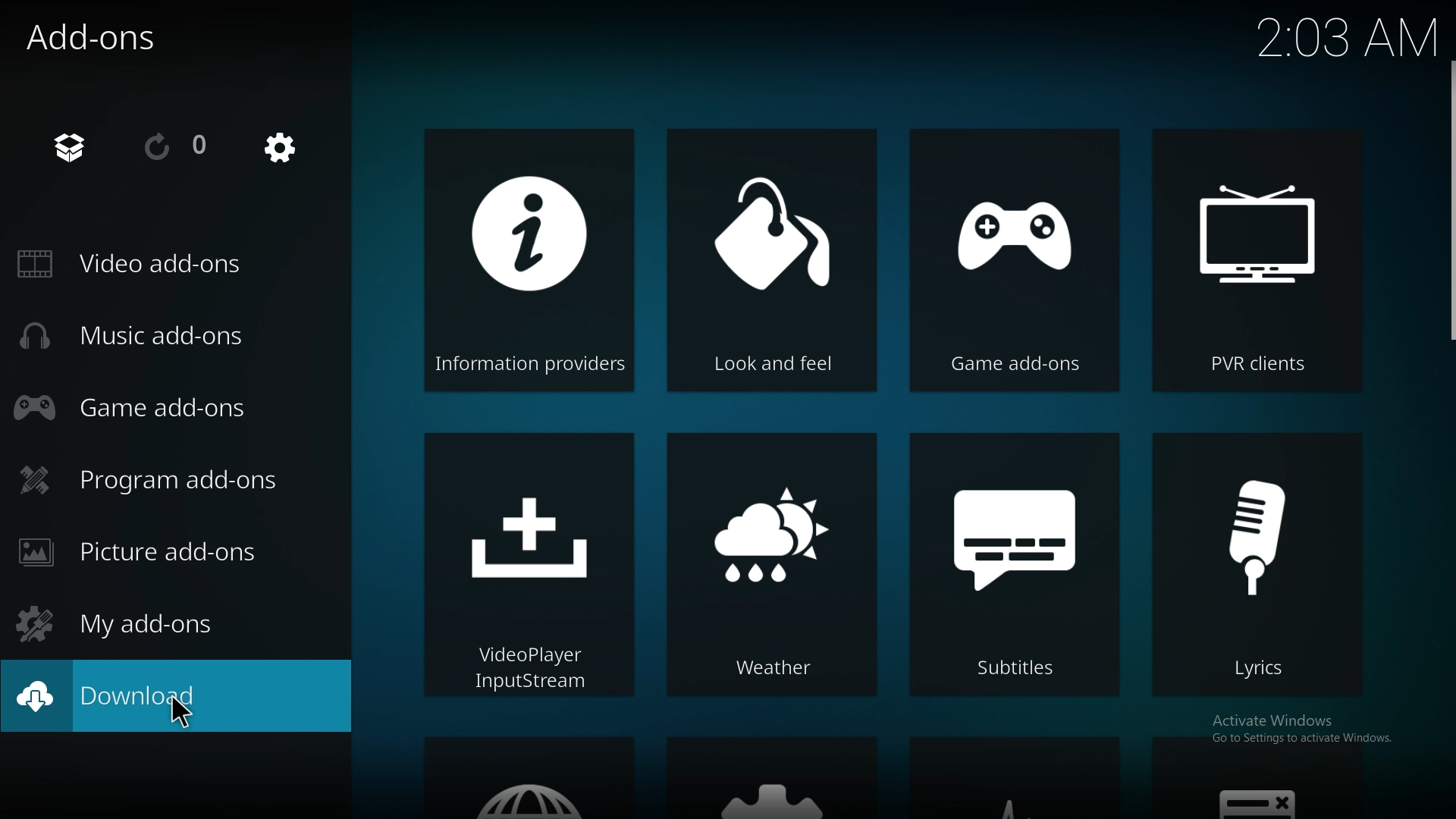 Image resolution: width=1456 pixels, height=819 pixels. I want to click on program add ons, so click(155, 478).